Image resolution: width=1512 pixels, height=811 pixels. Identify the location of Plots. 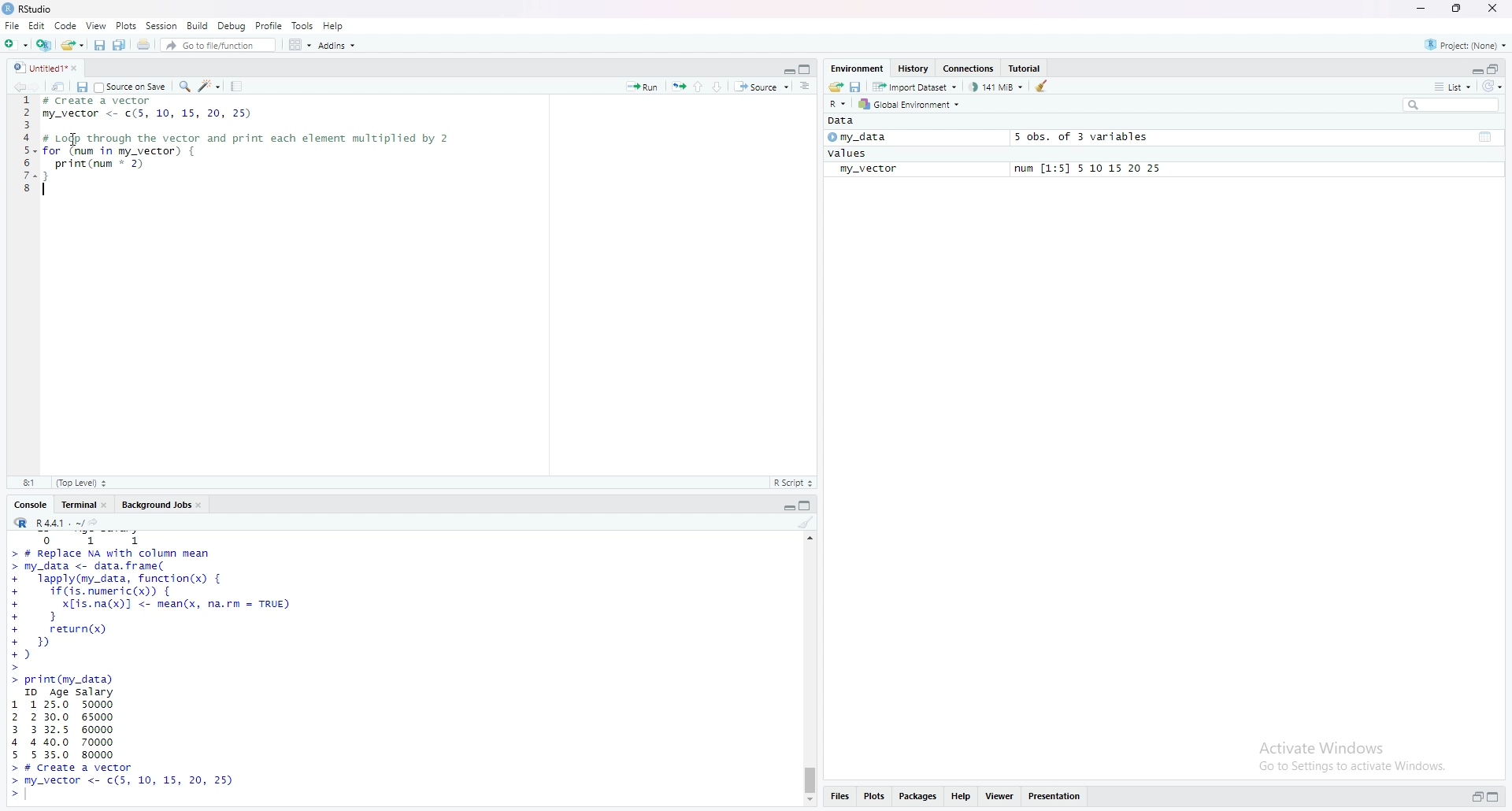
(127, 25).